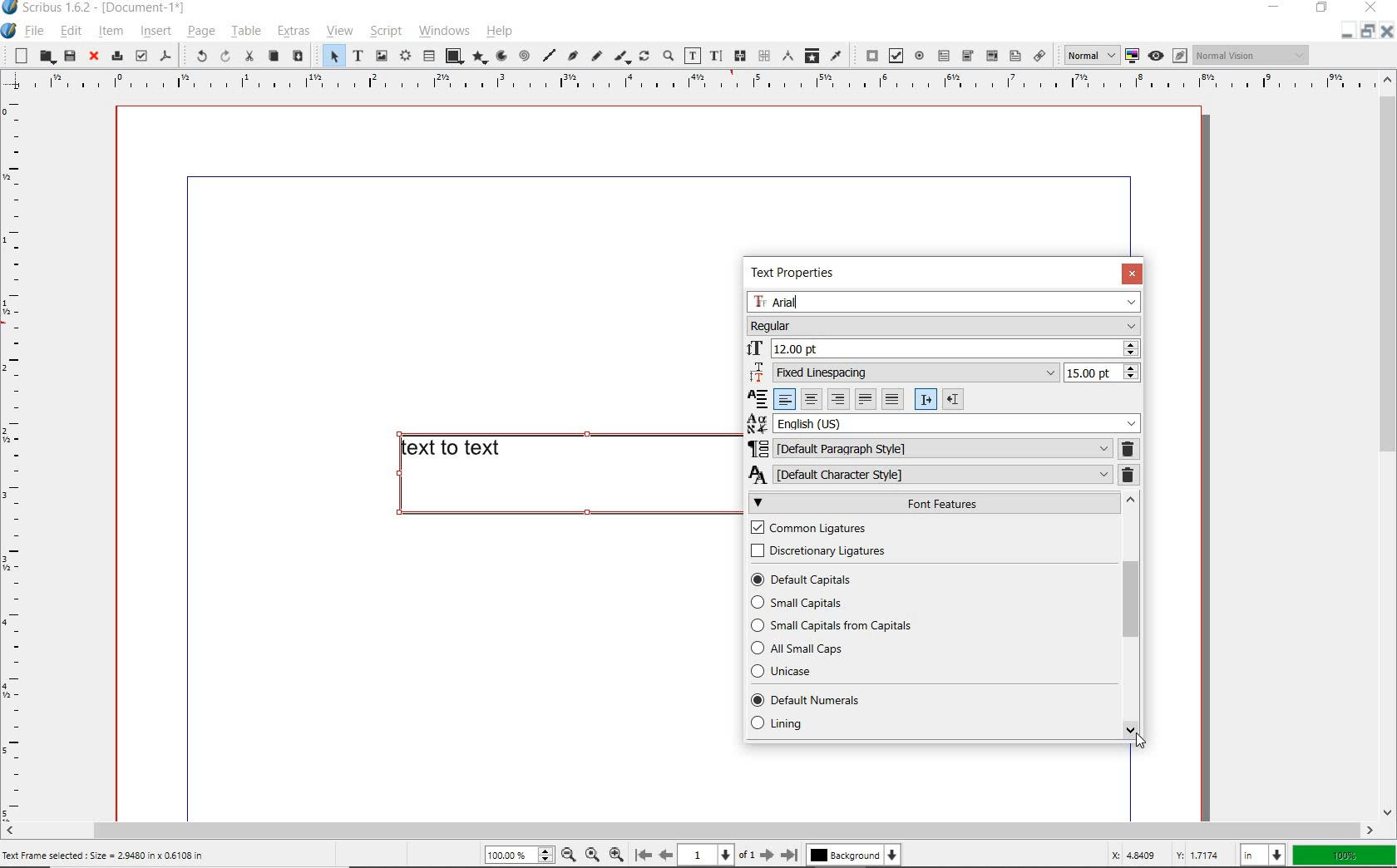 This screenshot has width=1397, height=868. Describe the element at coordinates (622, 57) in the screenshot. I see `calligraphic line` at that location.